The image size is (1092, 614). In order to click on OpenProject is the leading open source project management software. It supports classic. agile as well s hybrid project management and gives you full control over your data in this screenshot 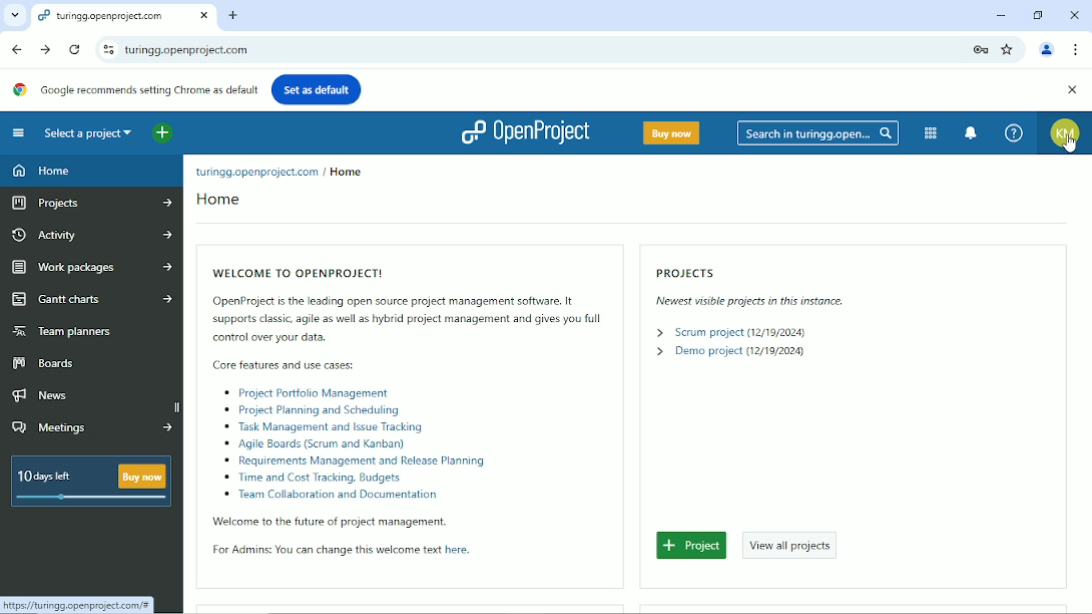, I will do `click(408, 319)`.